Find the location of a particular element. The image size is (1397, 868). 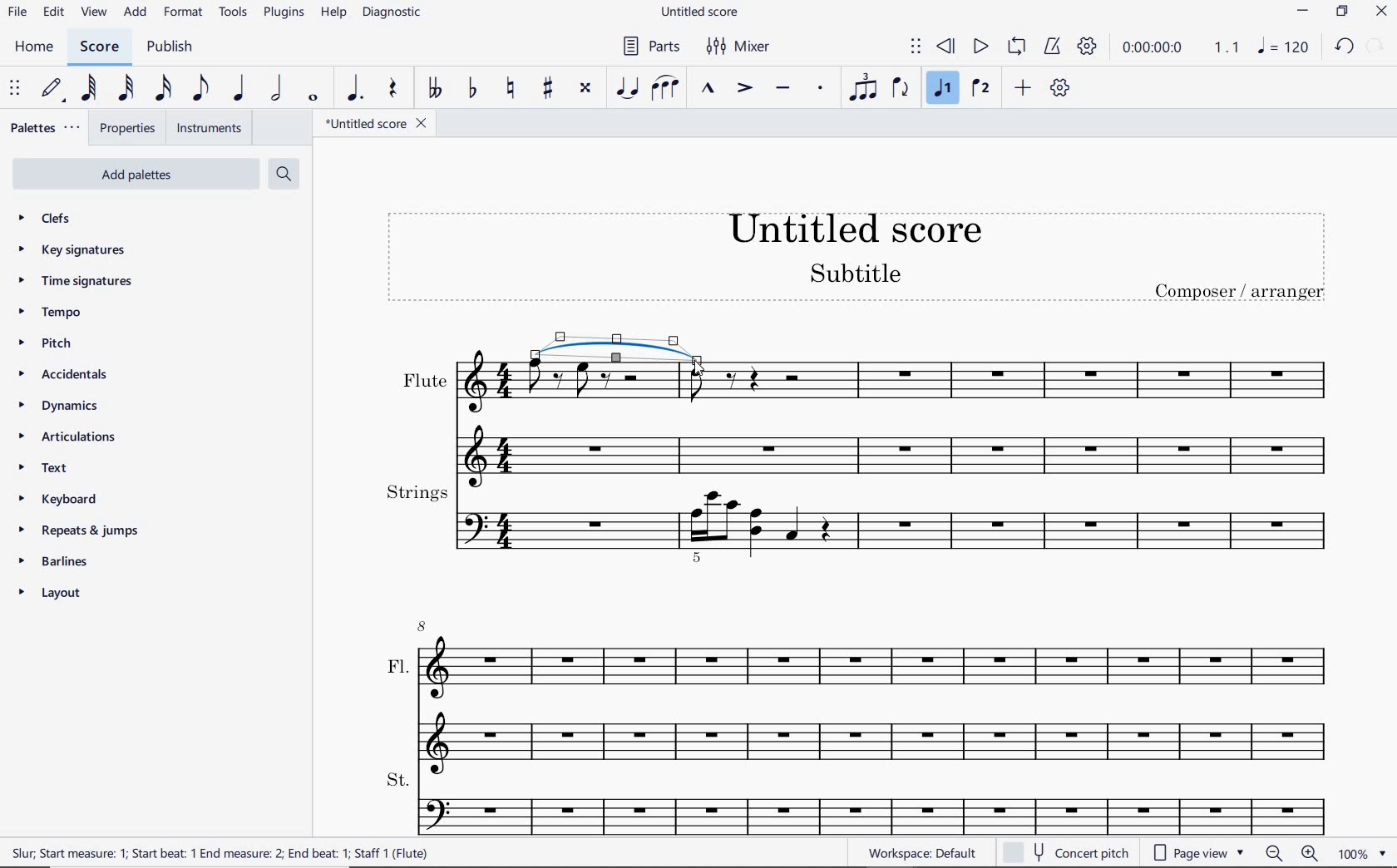

Flute is located at coordinates (862, 421).